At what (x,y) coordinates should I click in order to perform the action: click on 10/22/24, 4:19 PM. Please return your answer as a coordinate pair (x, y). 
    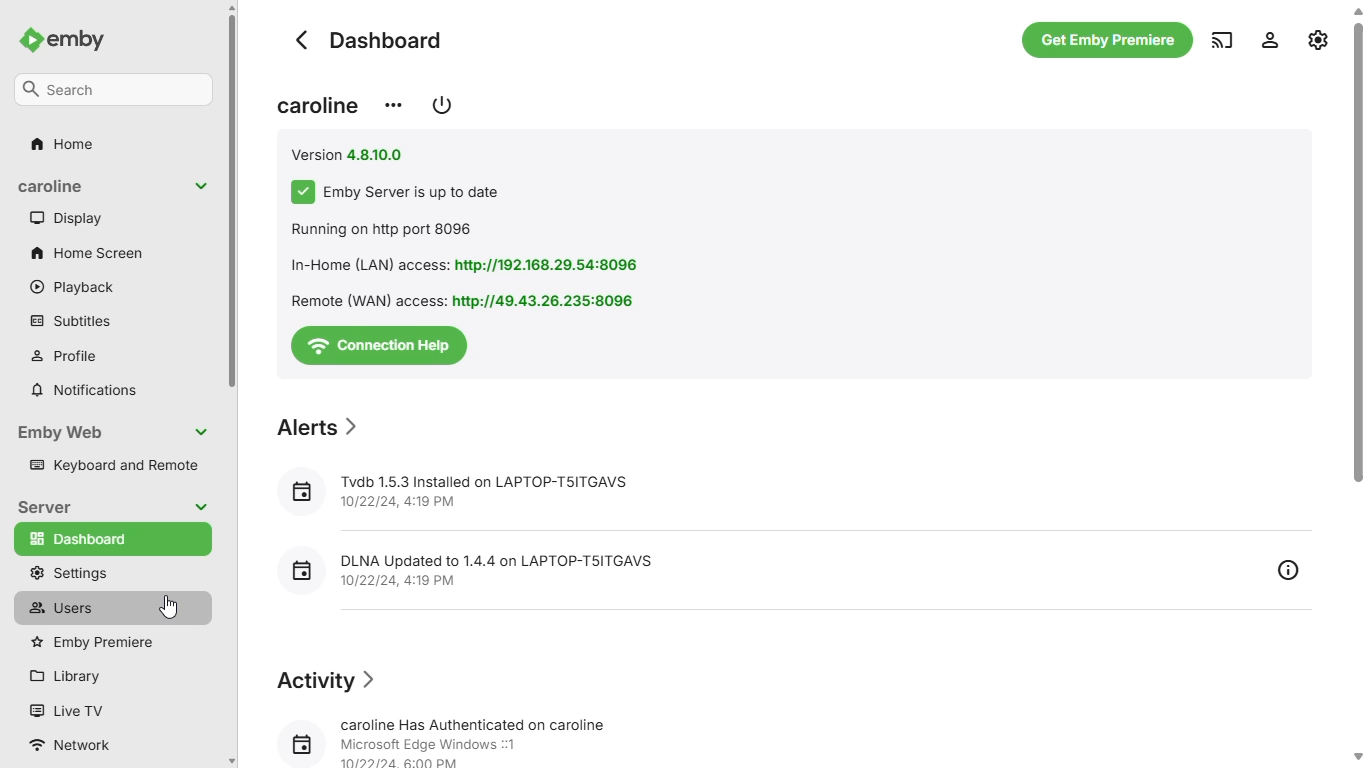
    Looking at the image, I should click on (398, 581).